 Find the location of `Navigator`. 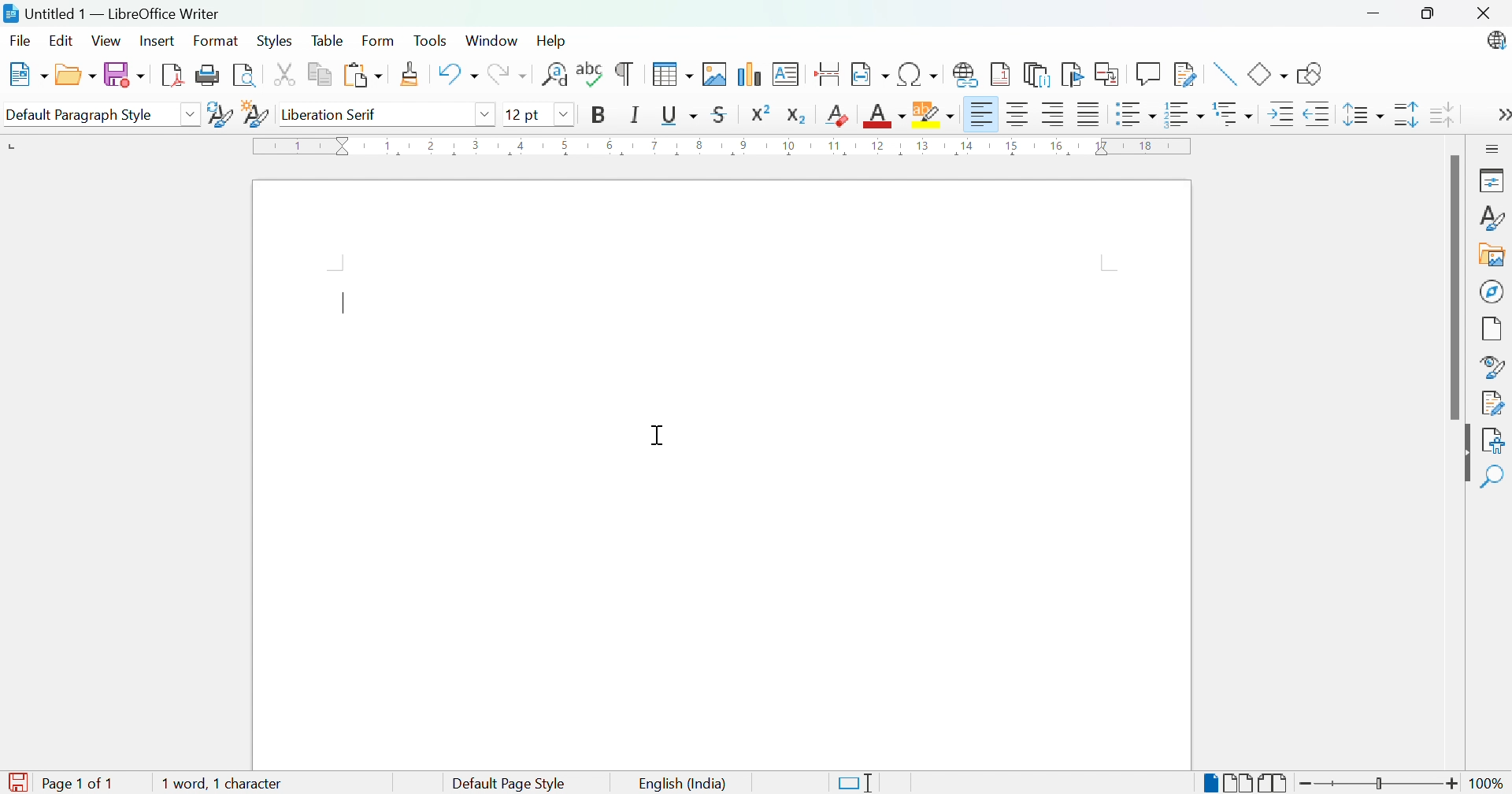

Navigator is located at coordinates (1492, 289).